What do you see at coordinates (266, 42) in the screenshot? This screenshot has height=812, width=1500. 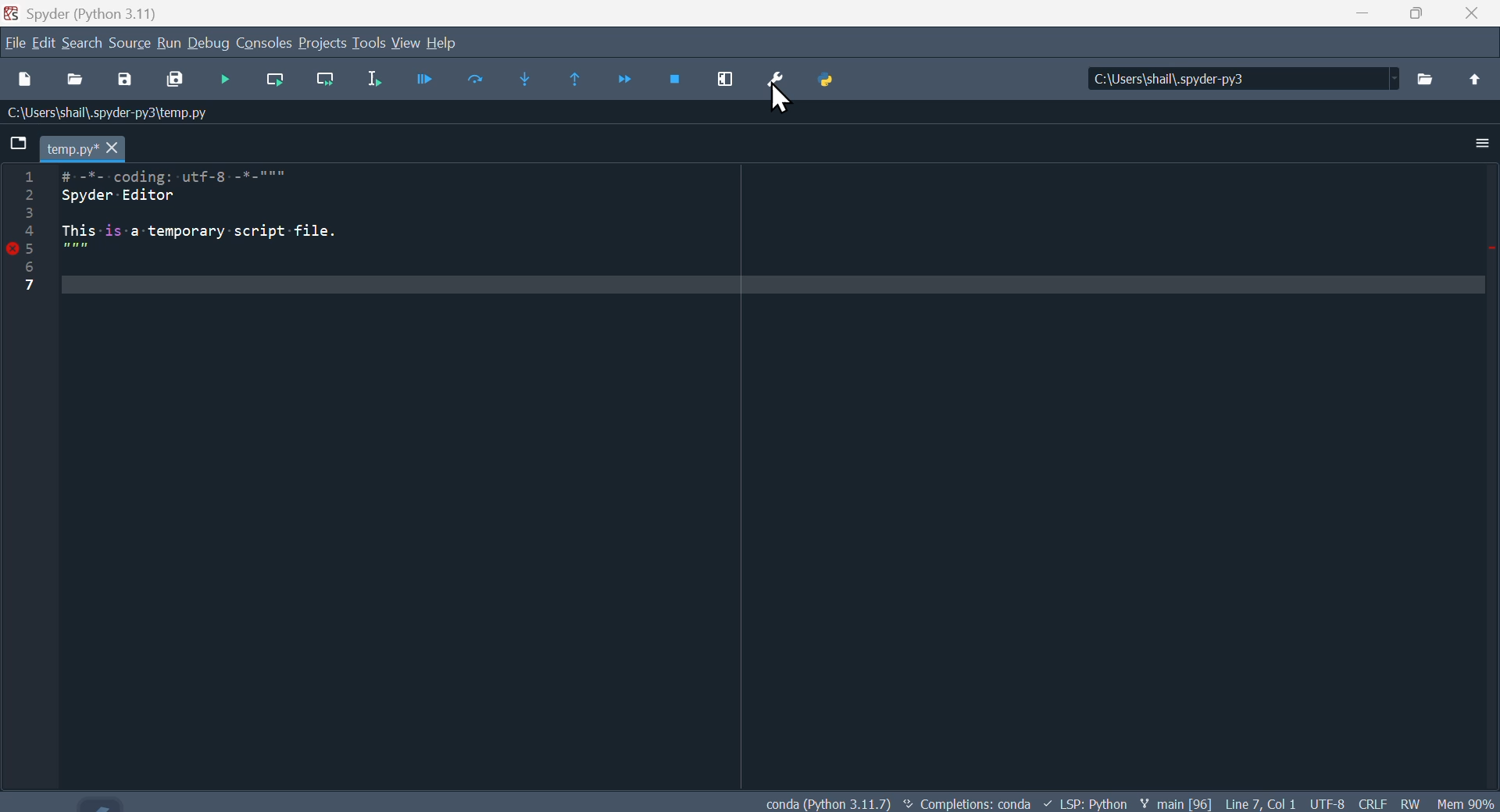 I see `Console` at bounding box center [266, 42].